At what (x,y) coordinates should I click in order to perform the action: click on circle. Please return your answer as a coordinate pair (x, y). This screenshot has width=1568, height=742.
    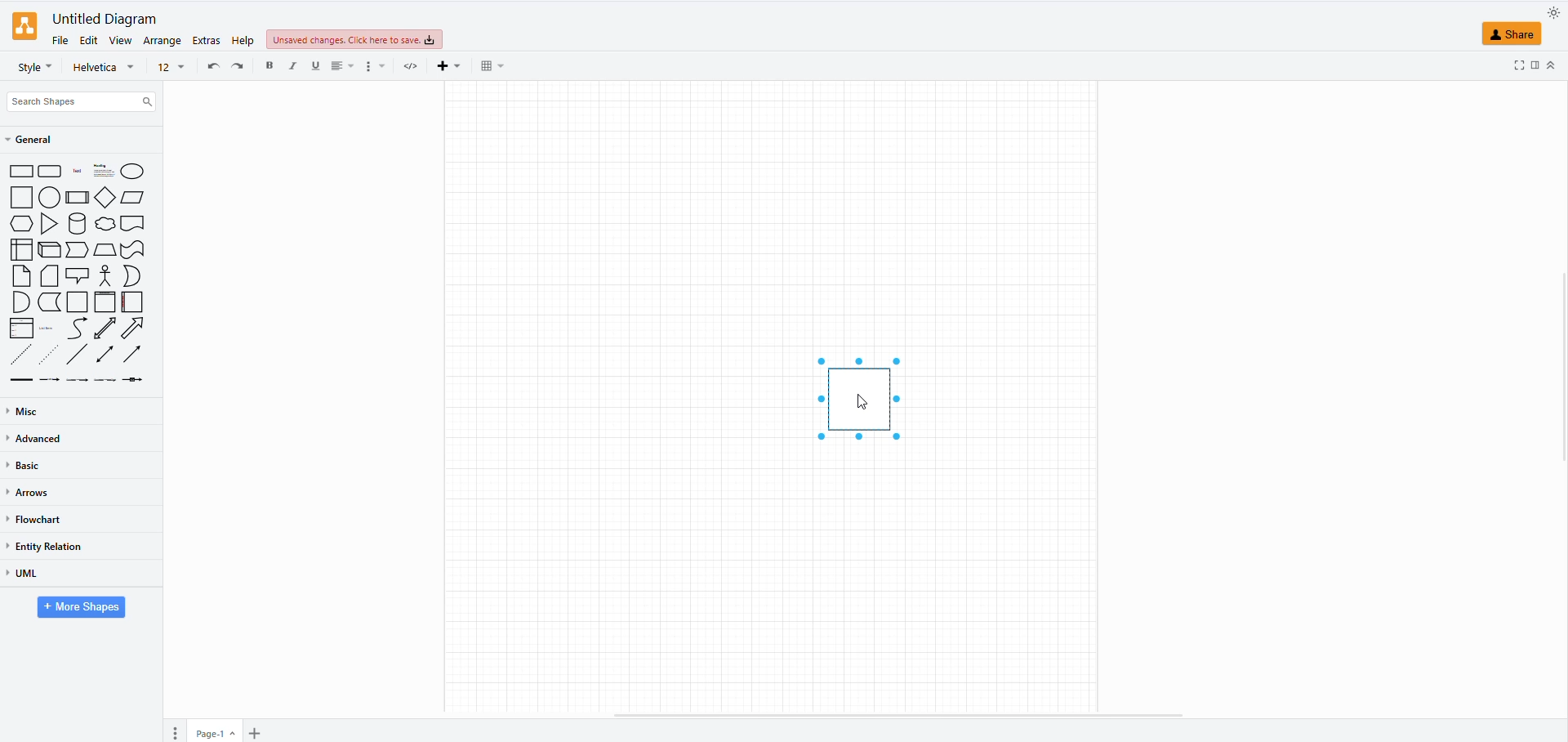
    Looking at the image, I should click on (49, 199).